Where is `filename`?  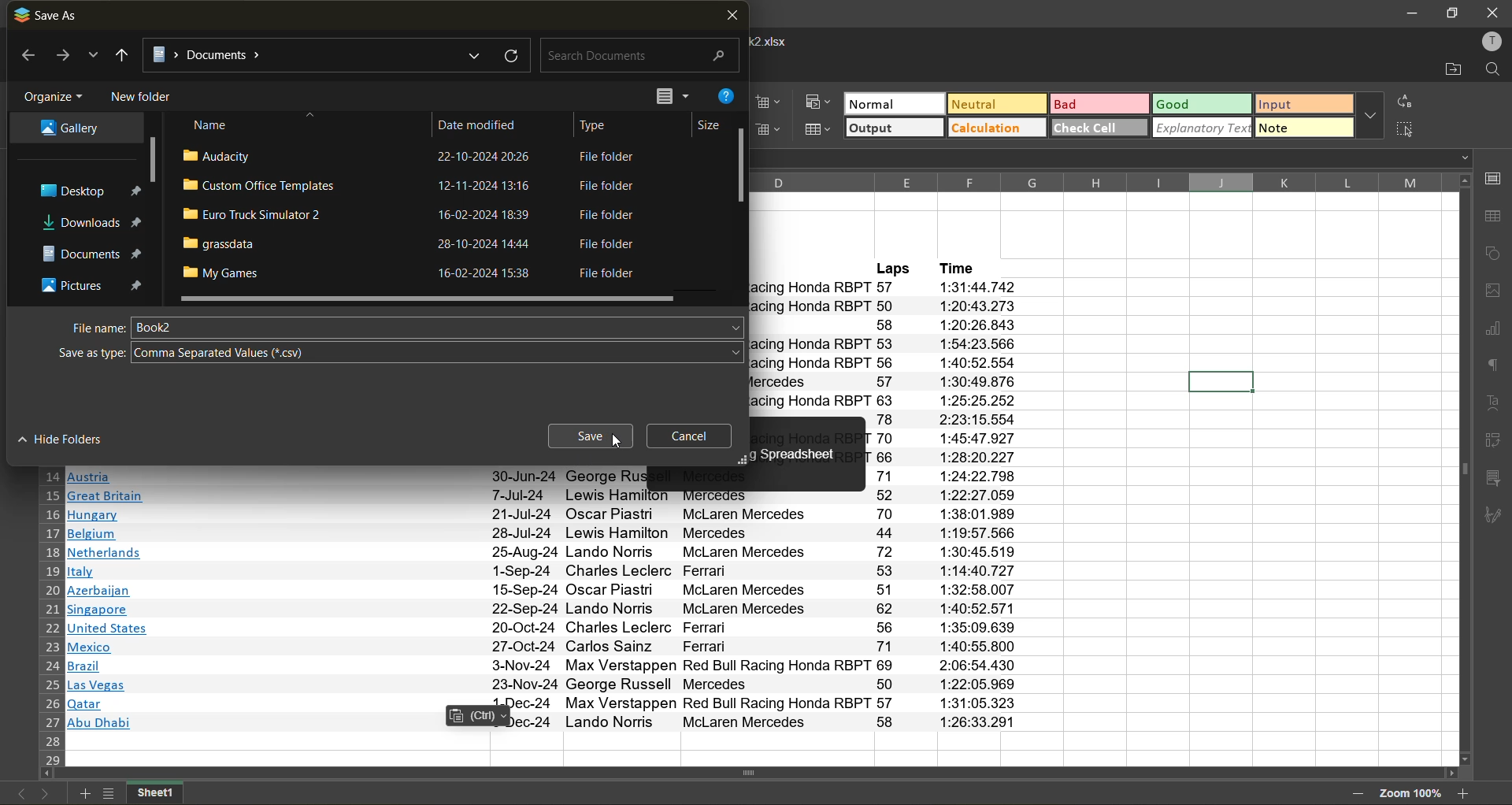
filename is located at coordinates (776, 40).